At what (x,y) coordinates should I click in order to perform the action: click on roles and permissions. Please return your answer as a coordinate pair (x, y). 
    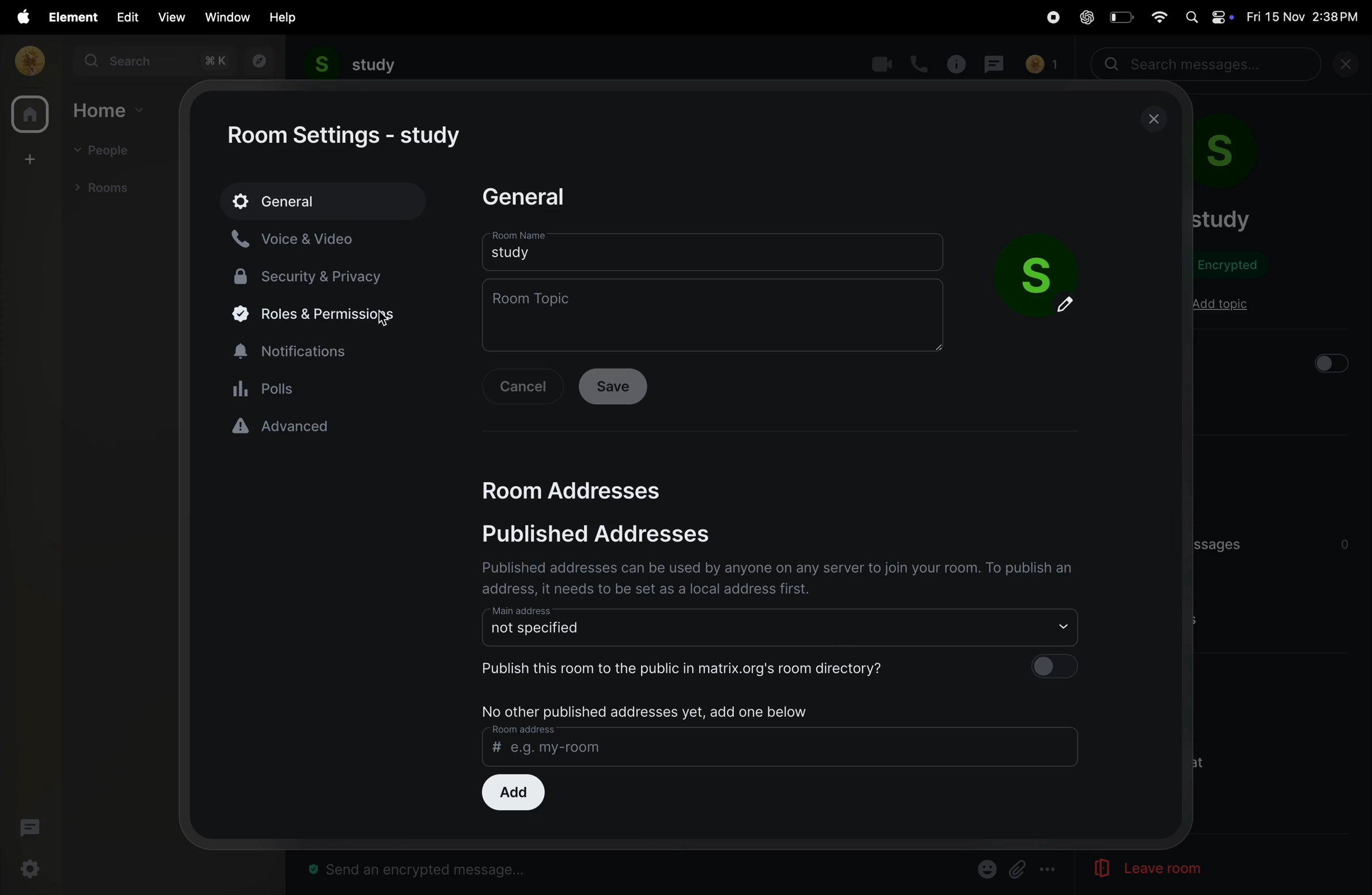
    Looking at the image, I should click on (315, 315).